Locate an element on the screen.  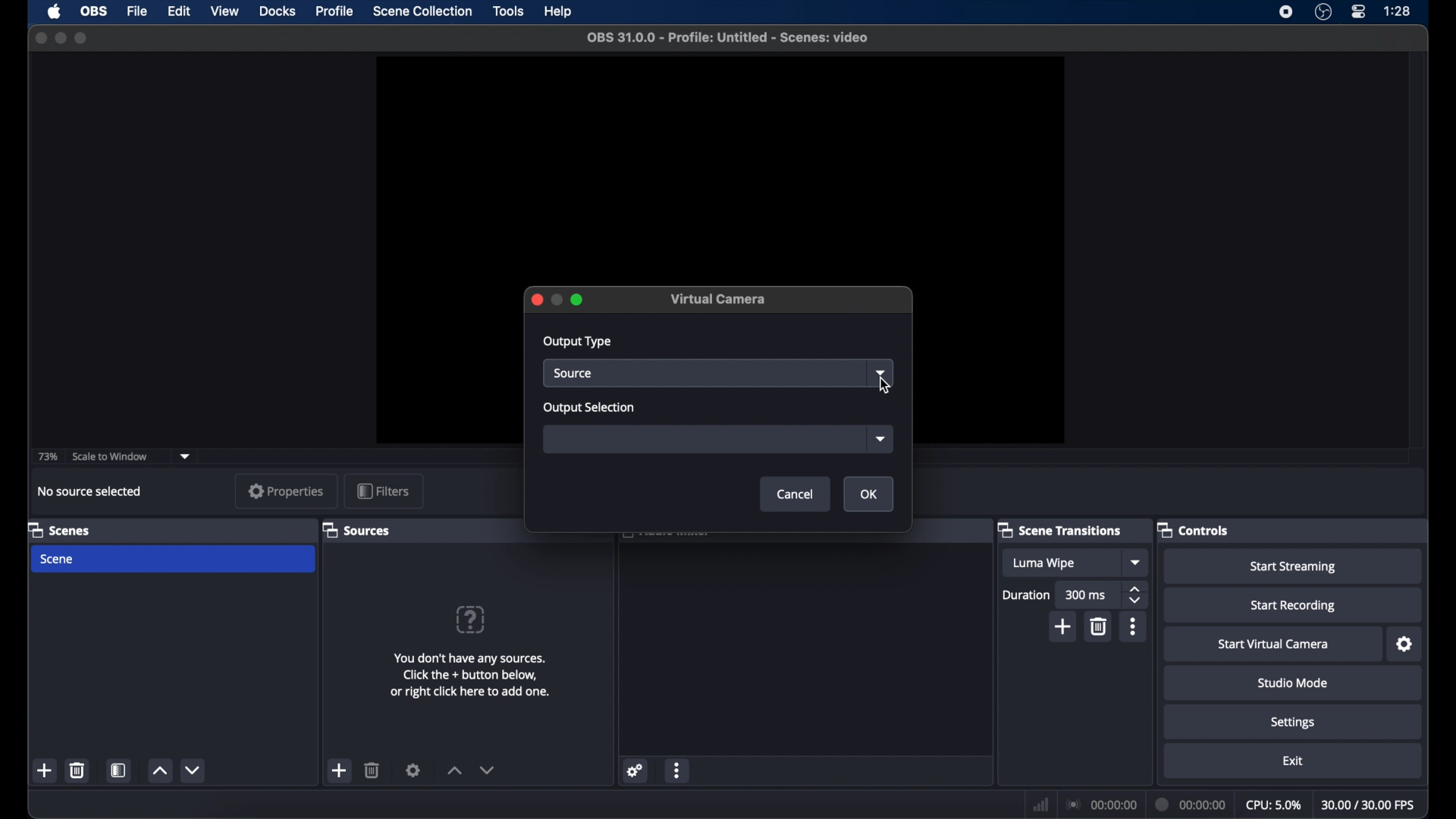
decrement is located at coordinates (194, 770).